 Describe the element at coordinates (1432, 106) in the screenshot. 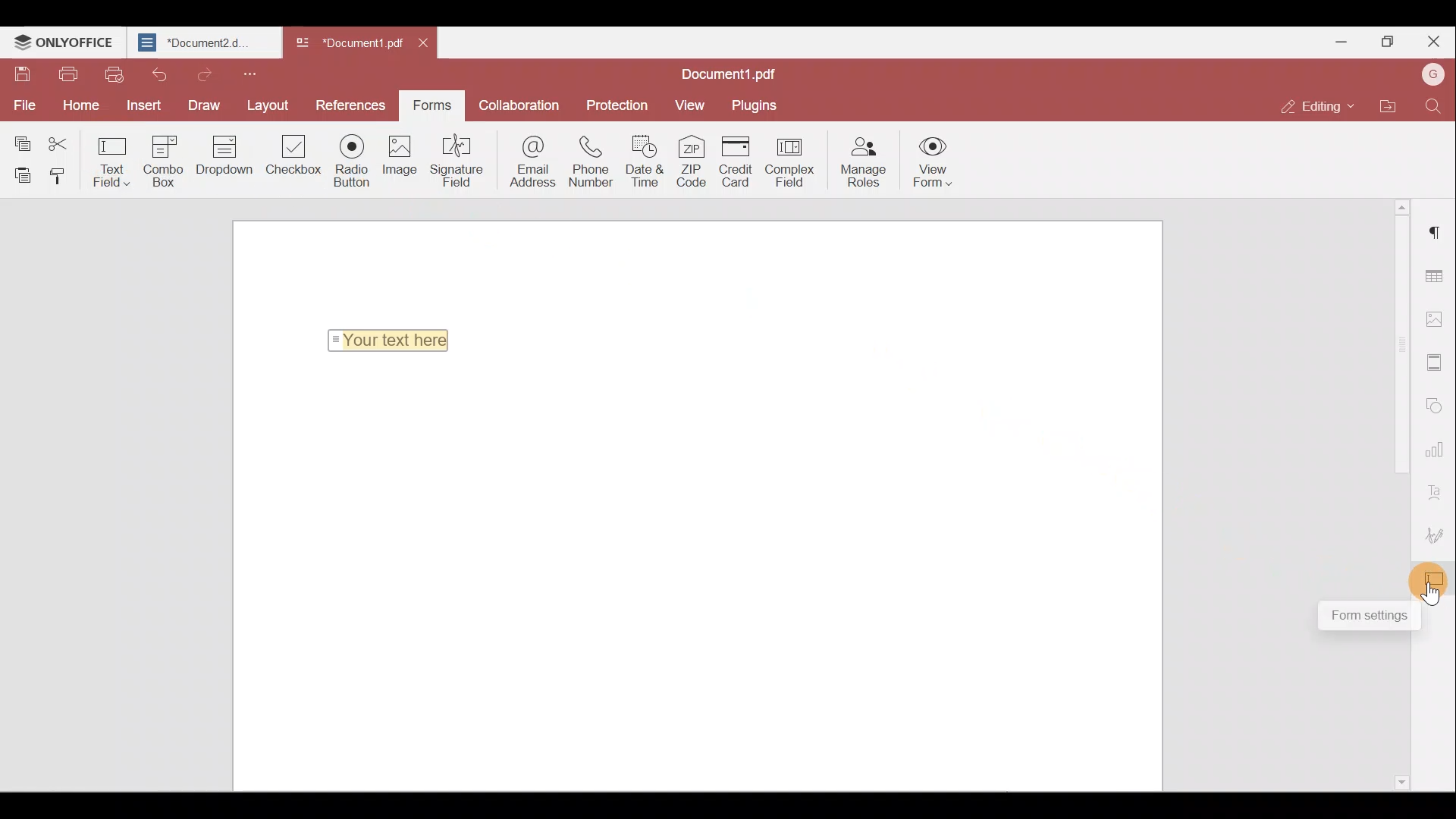

I see `Find` at that location.